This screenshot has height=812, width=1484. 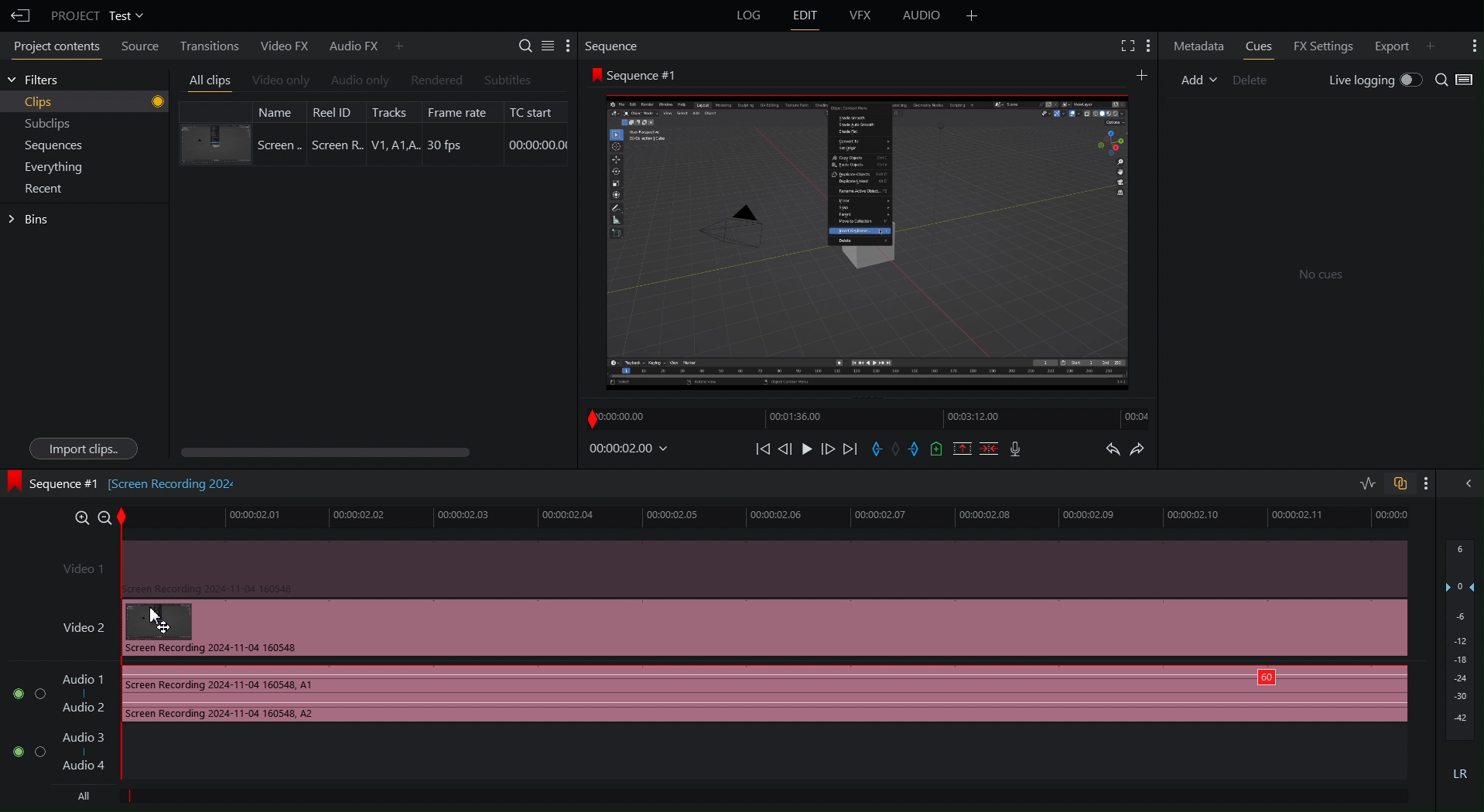 I want to click on No clues, so click(x=1324, y=274).